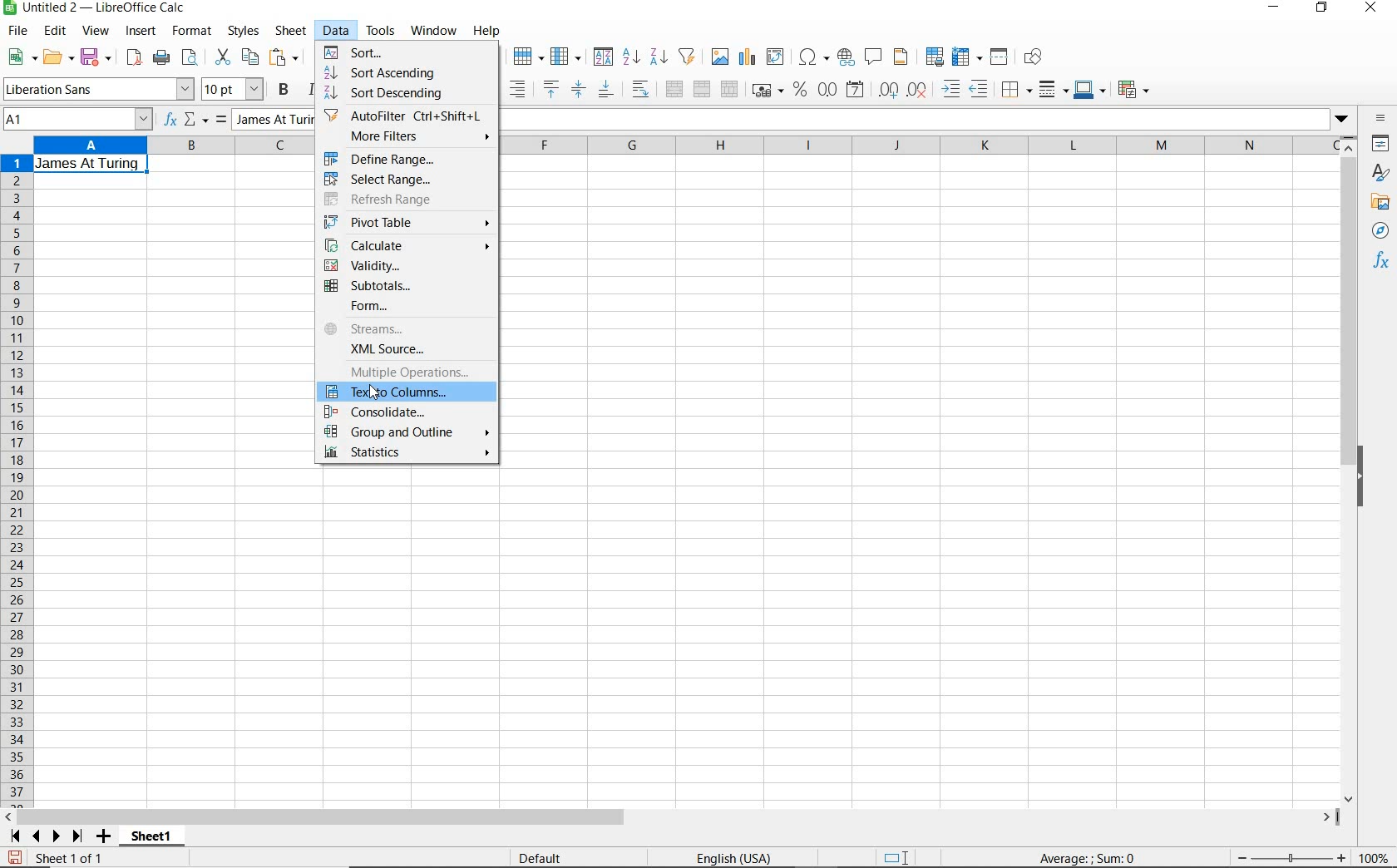  What do you see at coordinates (730, 88) in the screenshot?
I see `unmerge cells` at bounding box center [730, 88].